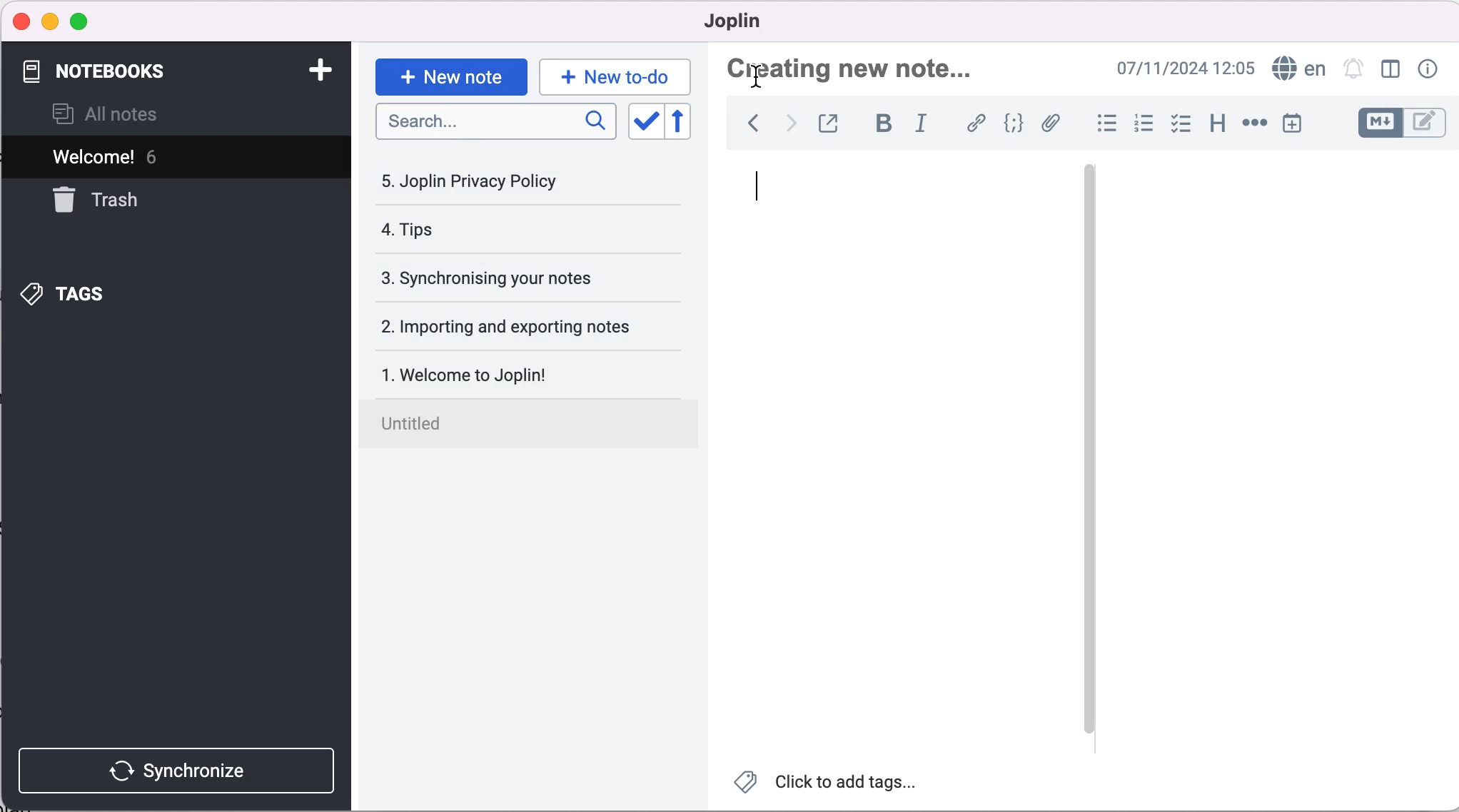 Image resolution: width=1459 pixels, height=812 pixels. What do you see at coordinates (106, 72) in the screenshot?
I see `notebooks` at bounding box center [106, 72].